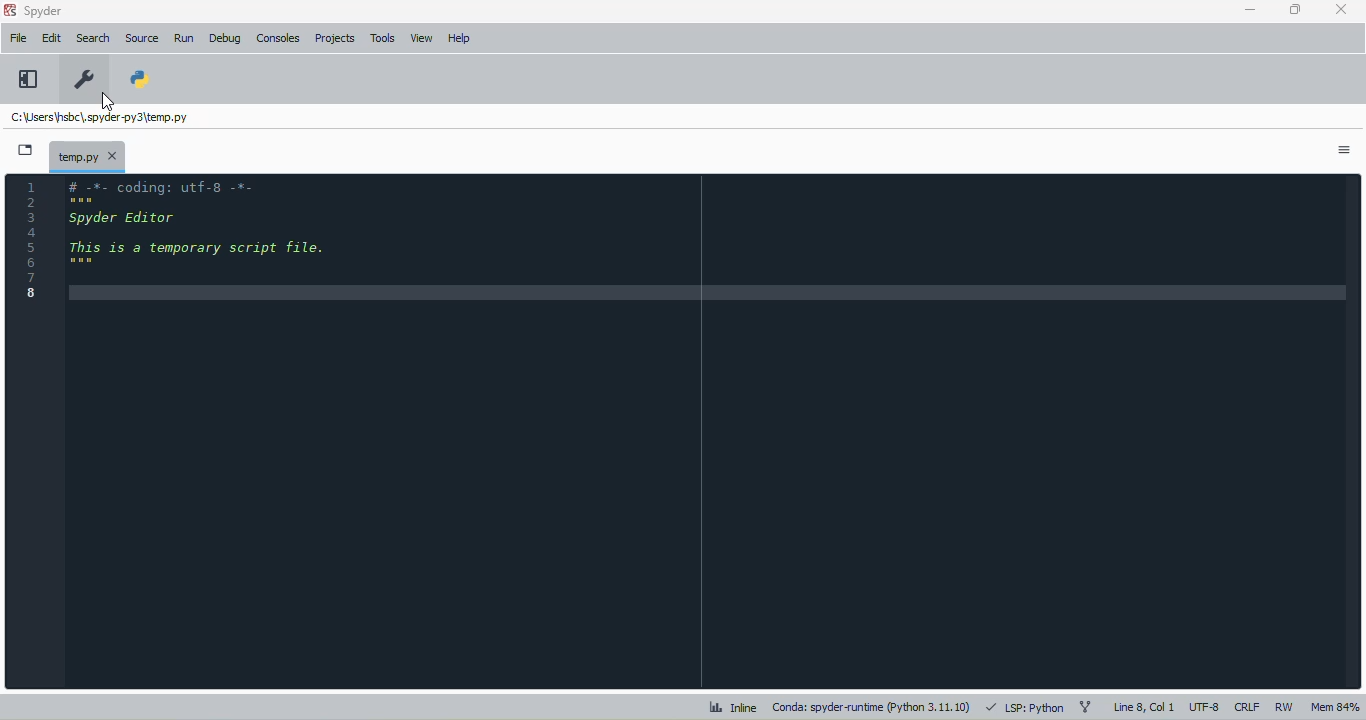  I want to click on options, so click(1345, 150).